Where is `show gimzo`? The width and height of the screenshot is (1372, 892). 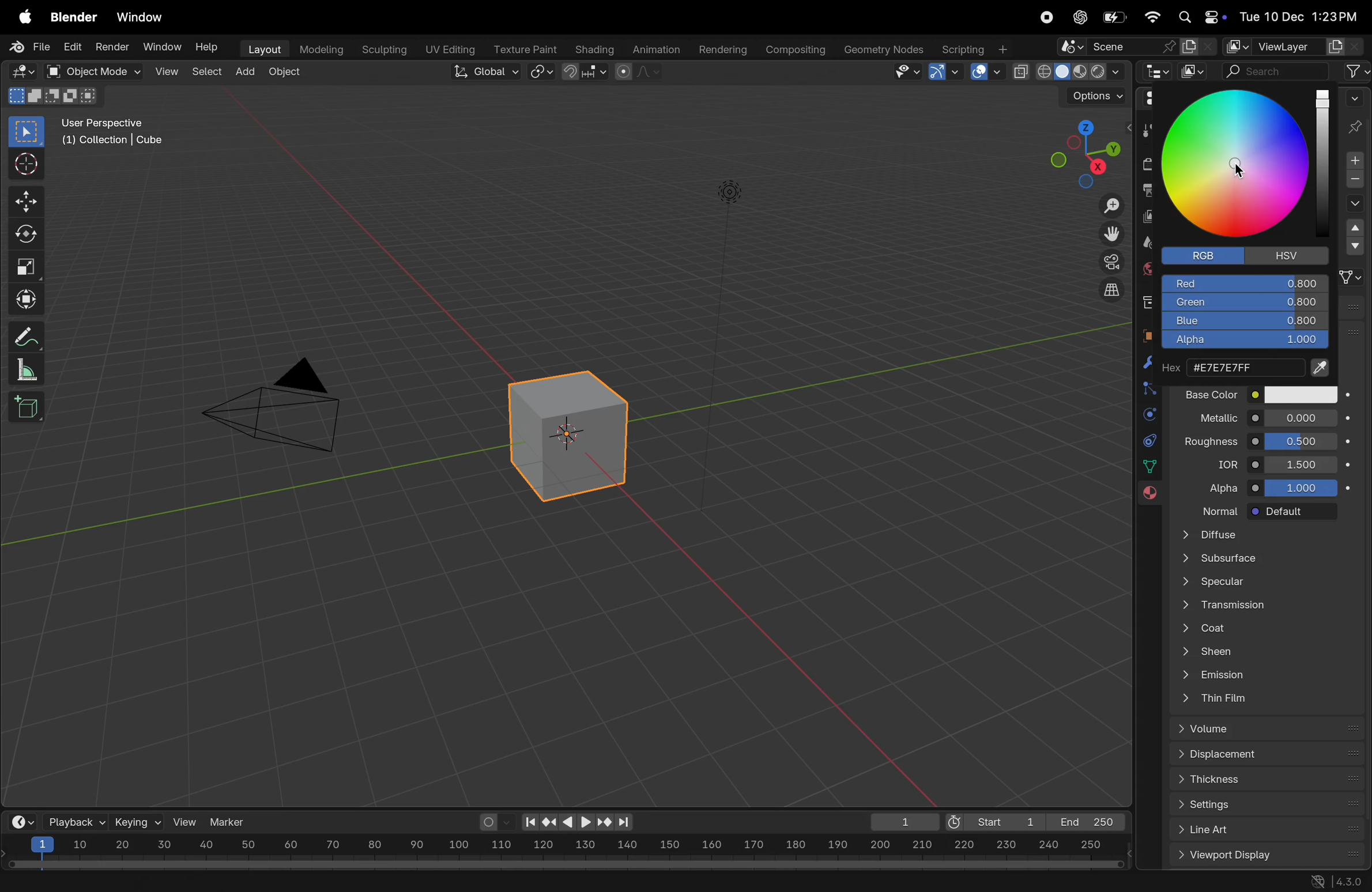
show gimzo is located at coordinates (946, 71).